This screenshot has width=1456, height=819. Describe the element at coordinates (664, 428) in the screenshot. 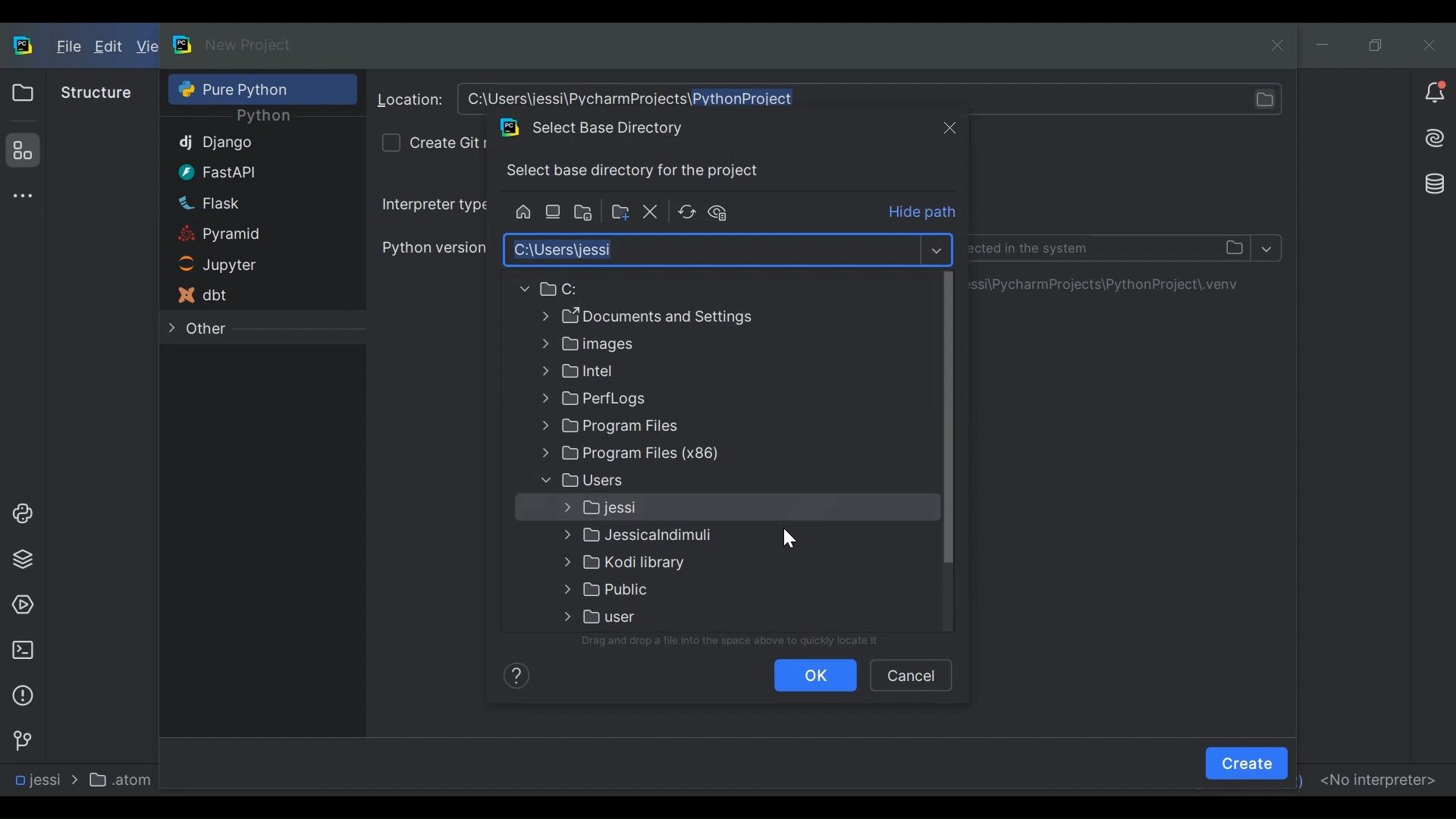

I see `` at that location.